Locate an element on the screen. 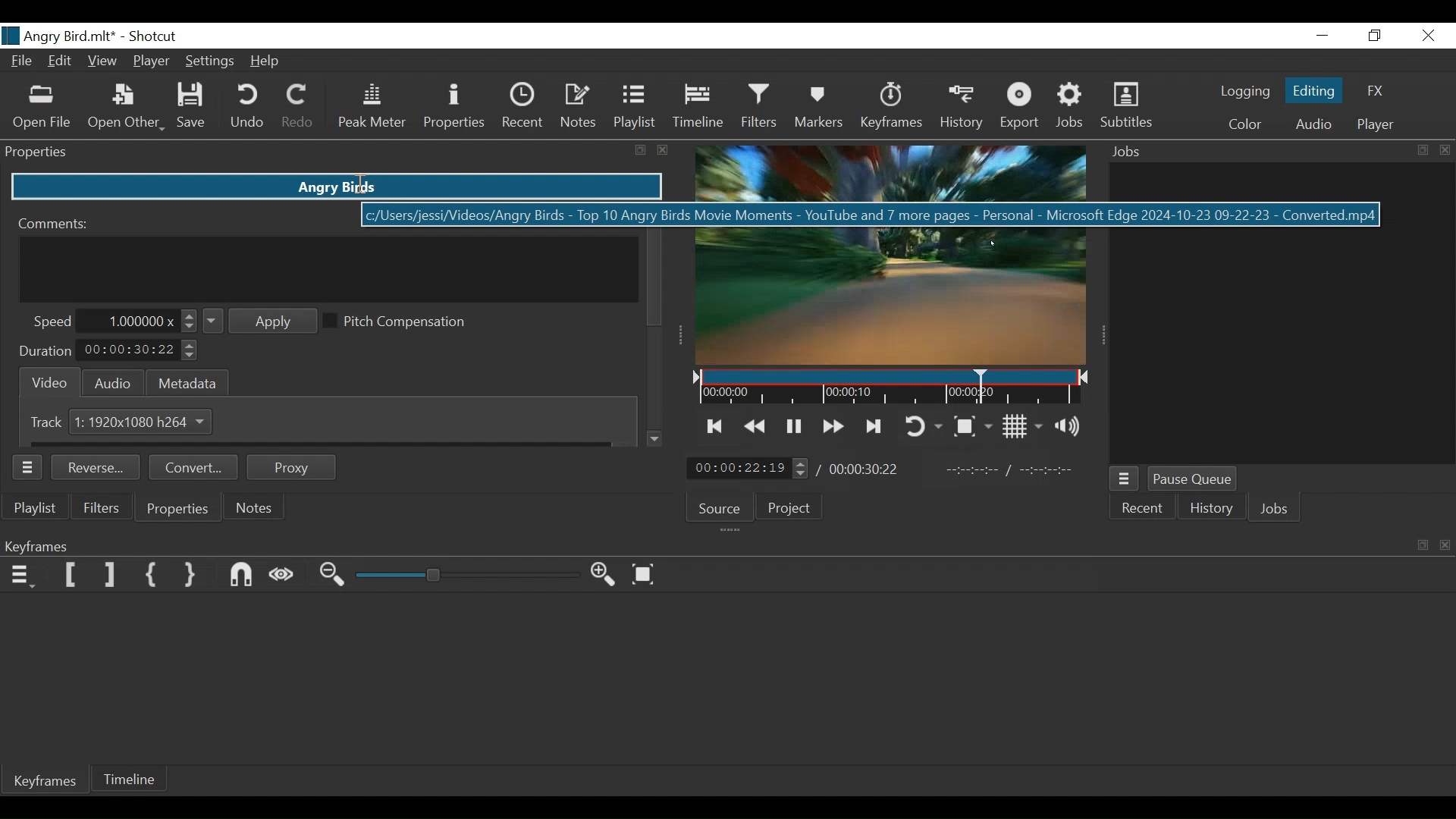 This screenshot has width=1456, height=819. Close is located at coordinates (1426, 35).